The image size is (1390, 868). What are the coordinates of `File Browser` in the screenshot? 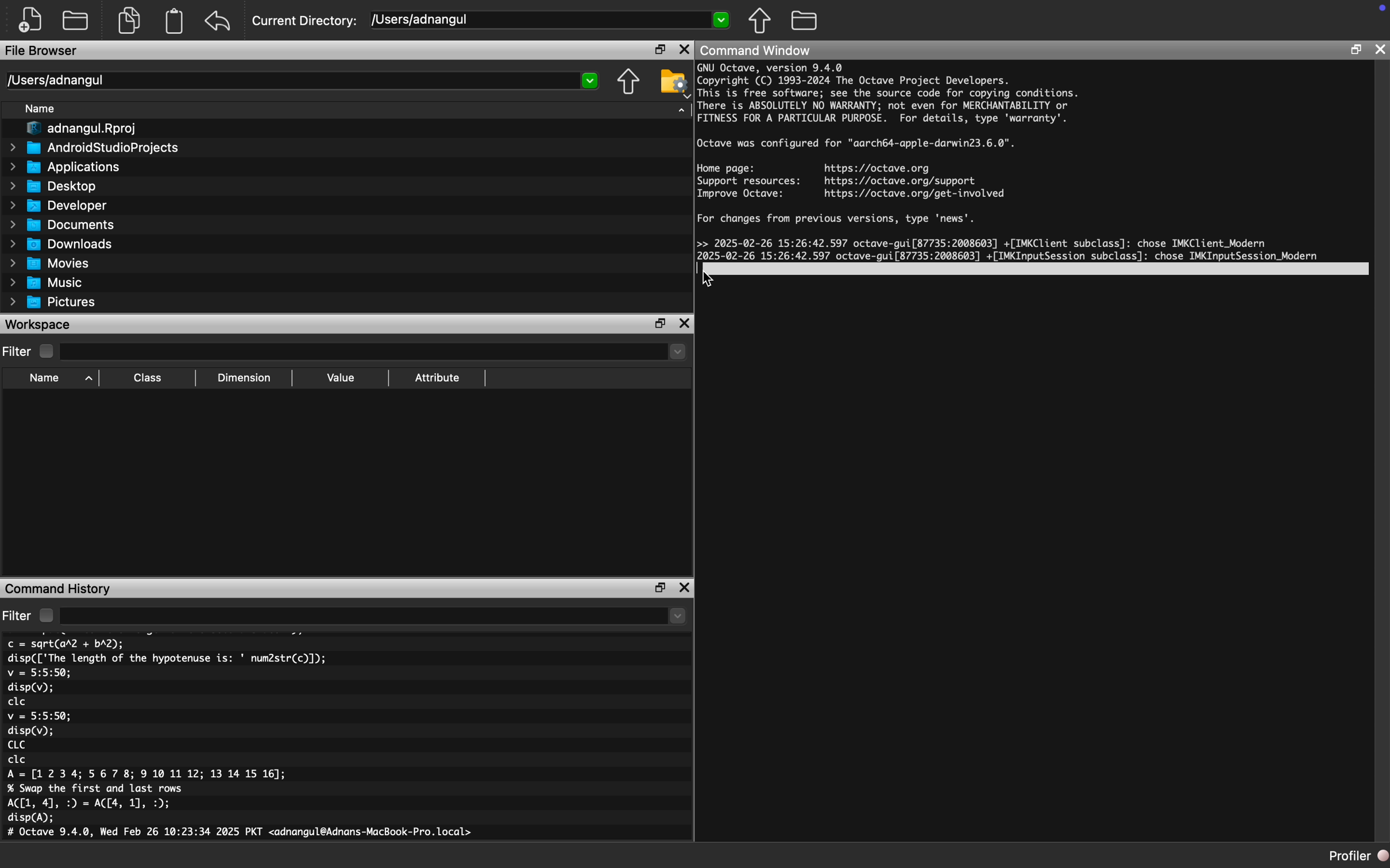 It's located at (43, 51).